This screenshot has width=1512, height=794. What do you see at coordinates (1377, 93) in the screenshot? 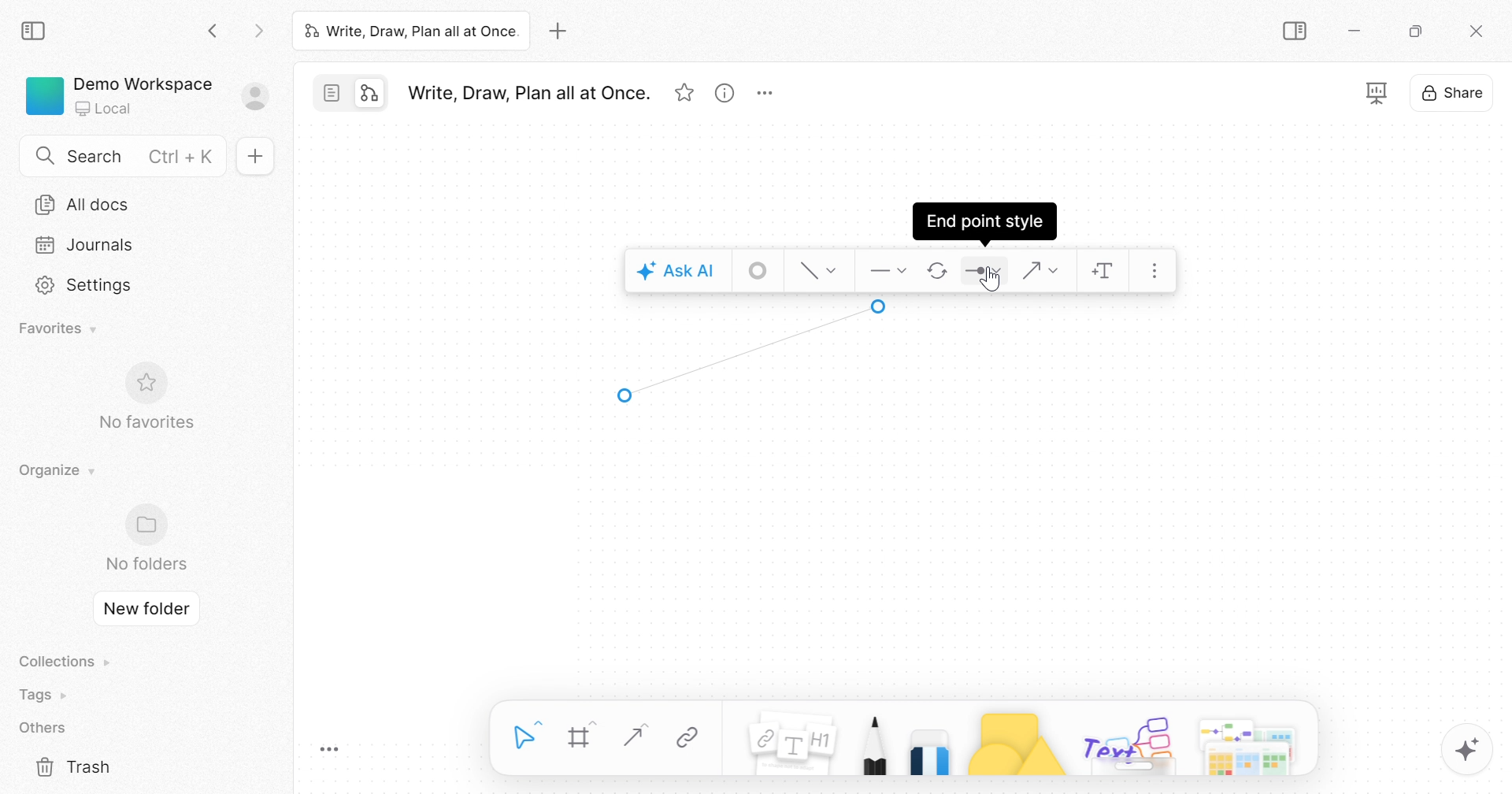
I see `Fullscreen` at bounding box center [1377, 93].